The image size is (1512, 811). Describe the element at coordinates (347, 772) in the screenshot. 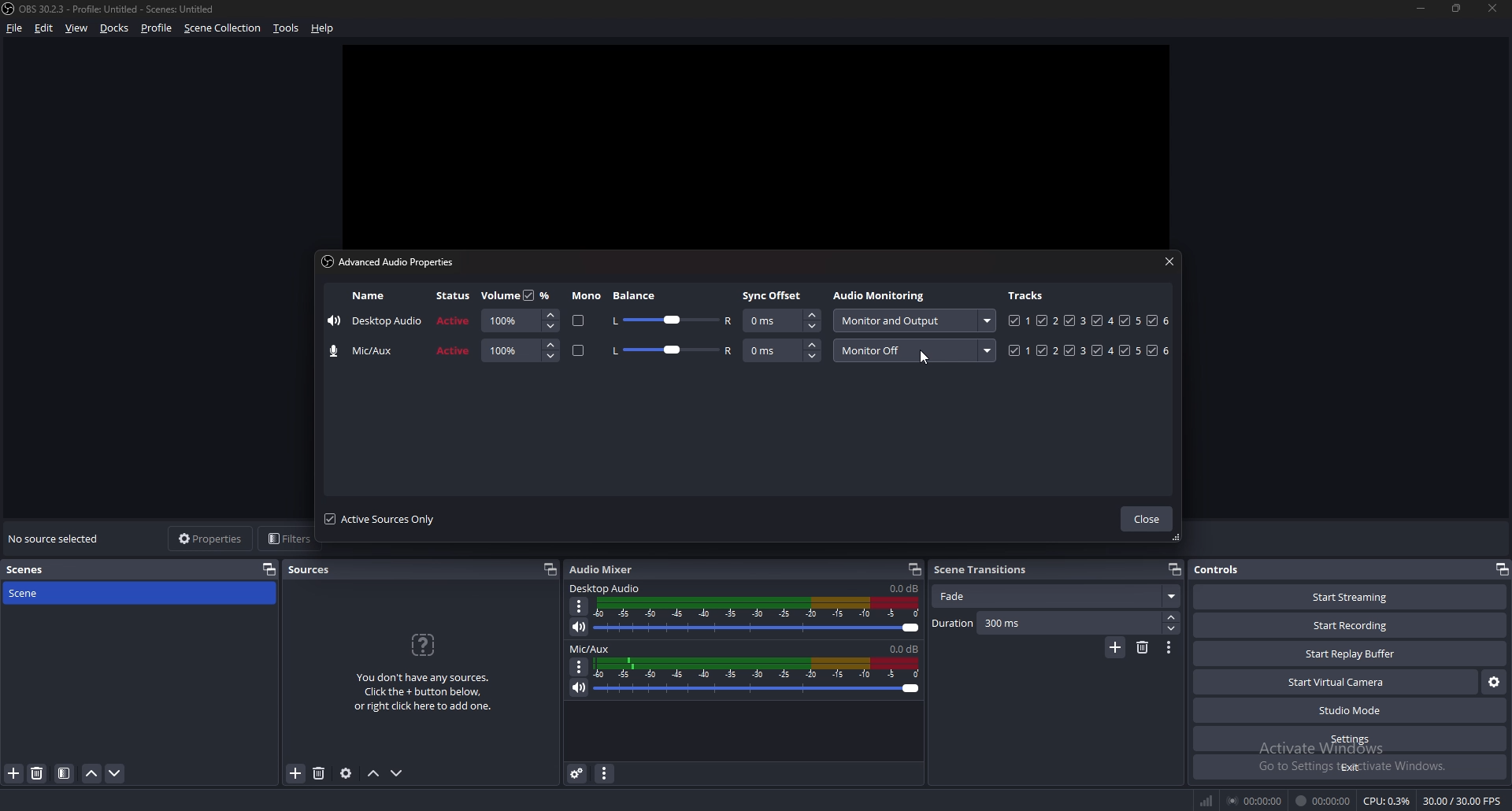

I see `source properties` at that location.